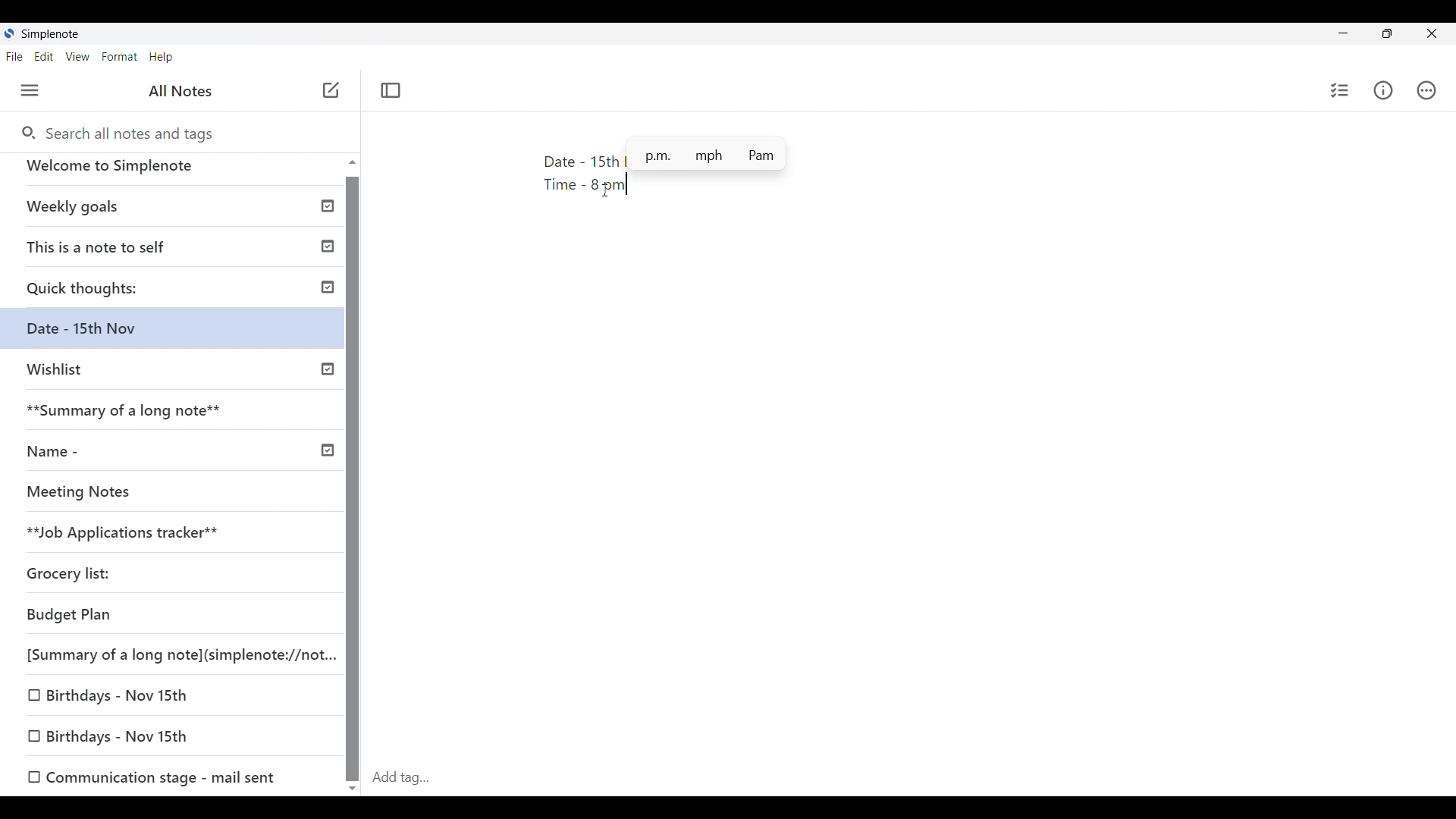 The height and width of the screenshot is (819, 1456). Describe the element at coordinates (30, 90) in the screenshot. I see `Menu` at that location.